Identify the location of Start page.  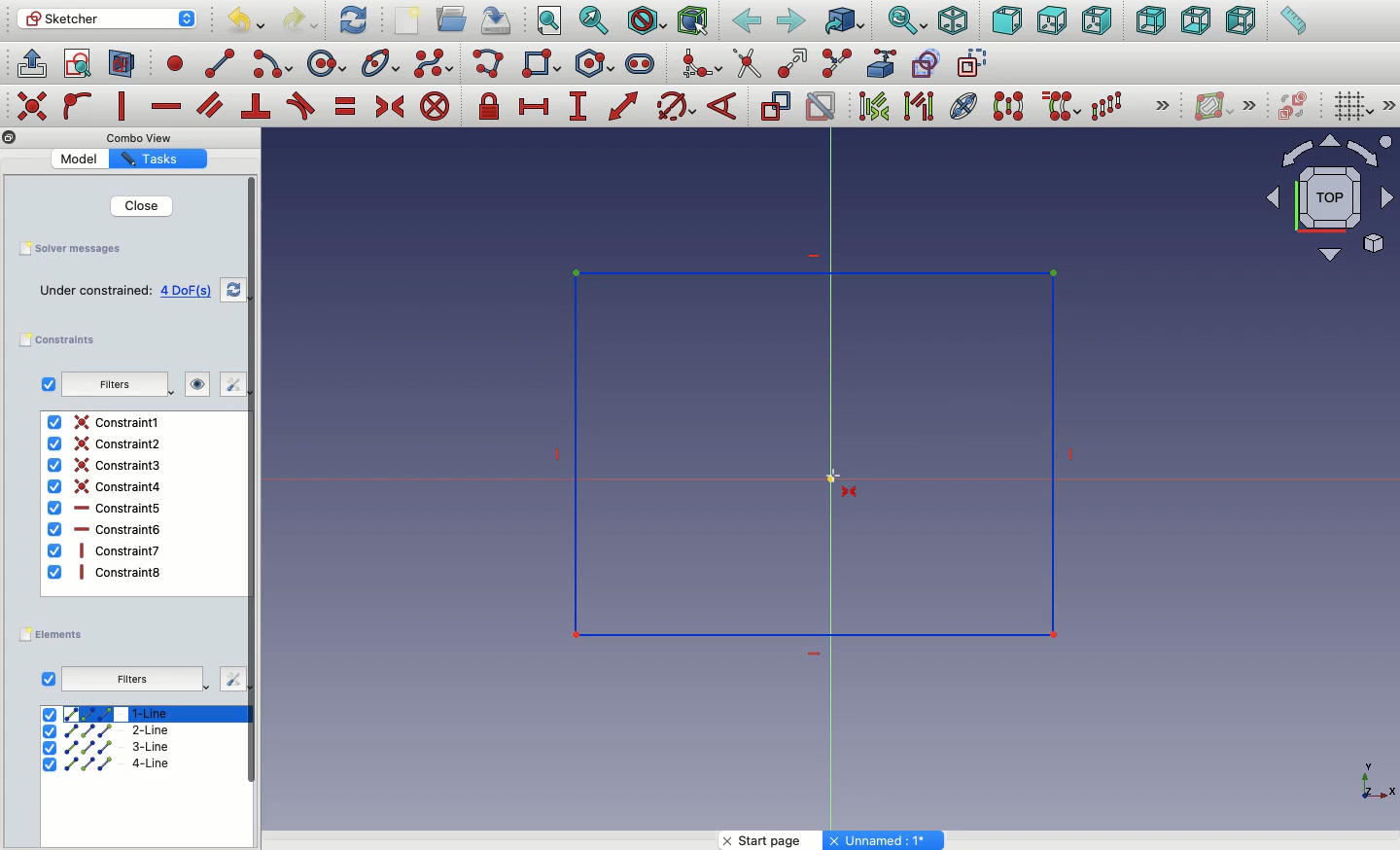
(773, 840).